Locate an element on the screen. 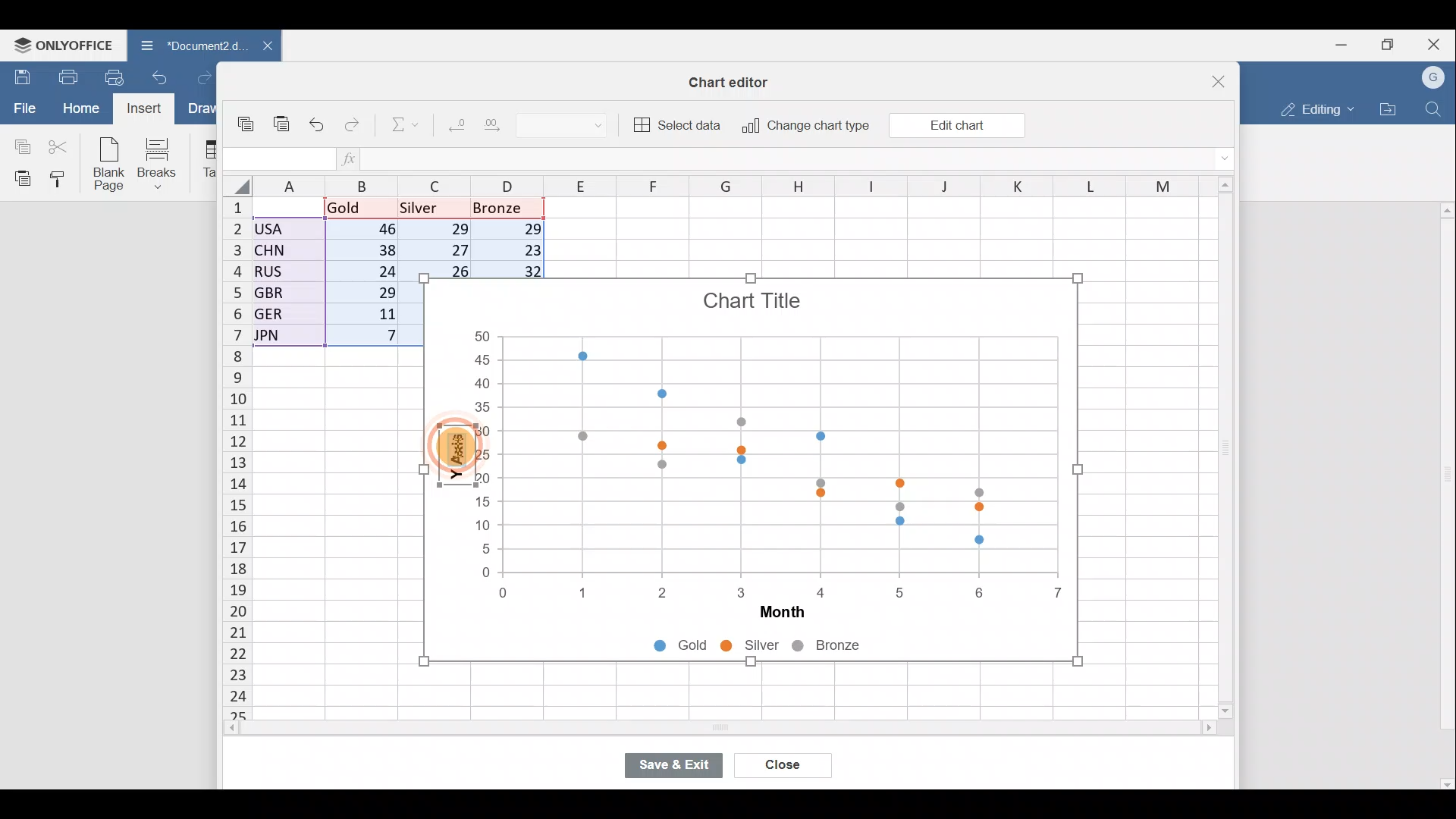 This screenshot has width=1456, height=819. Editing mode is located at coordinates (1313, 109).